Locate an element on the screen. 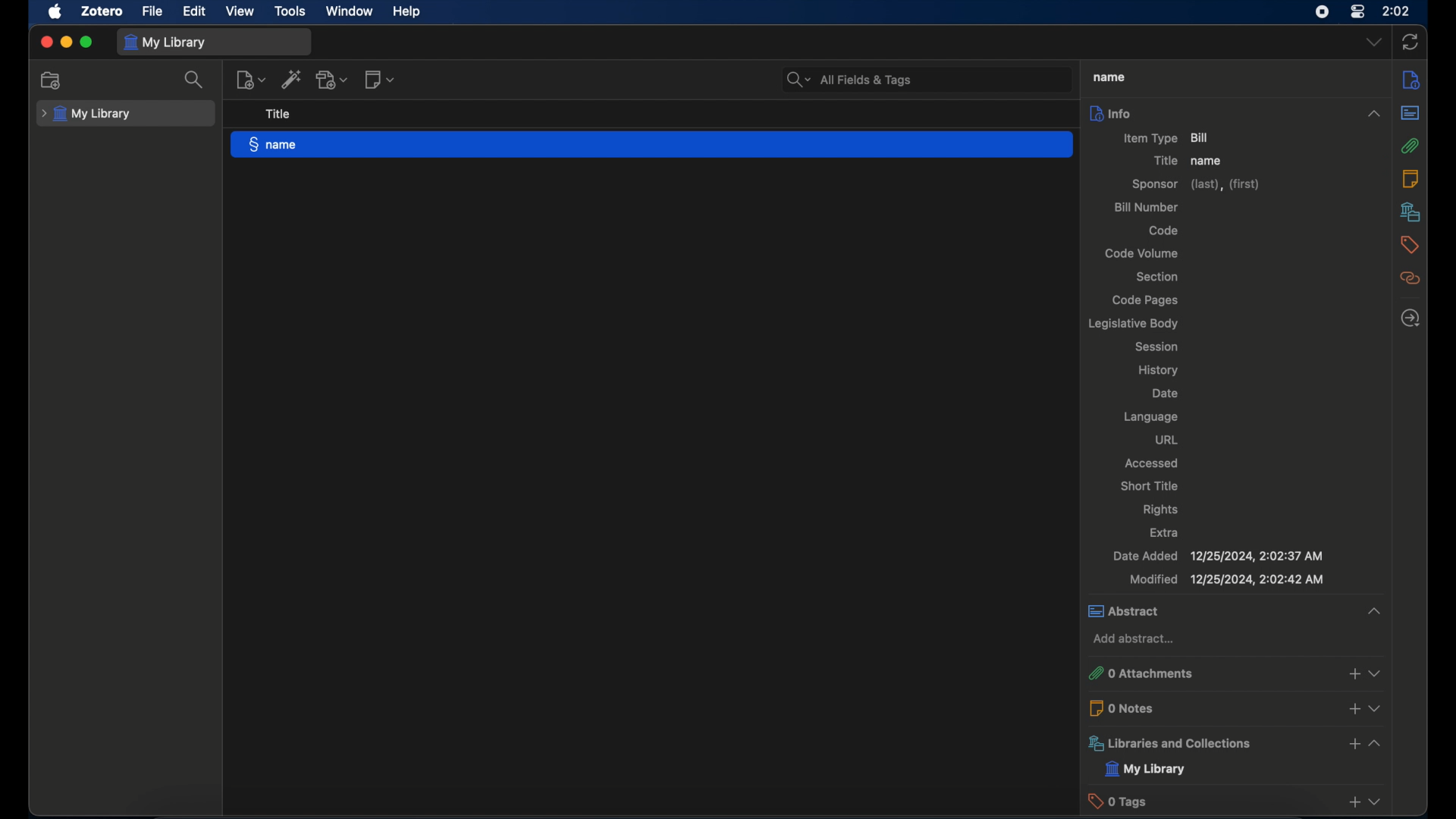 The width and height of the screenshot is (1456, 819). 0 tags is located at coordinates (1234, 801).